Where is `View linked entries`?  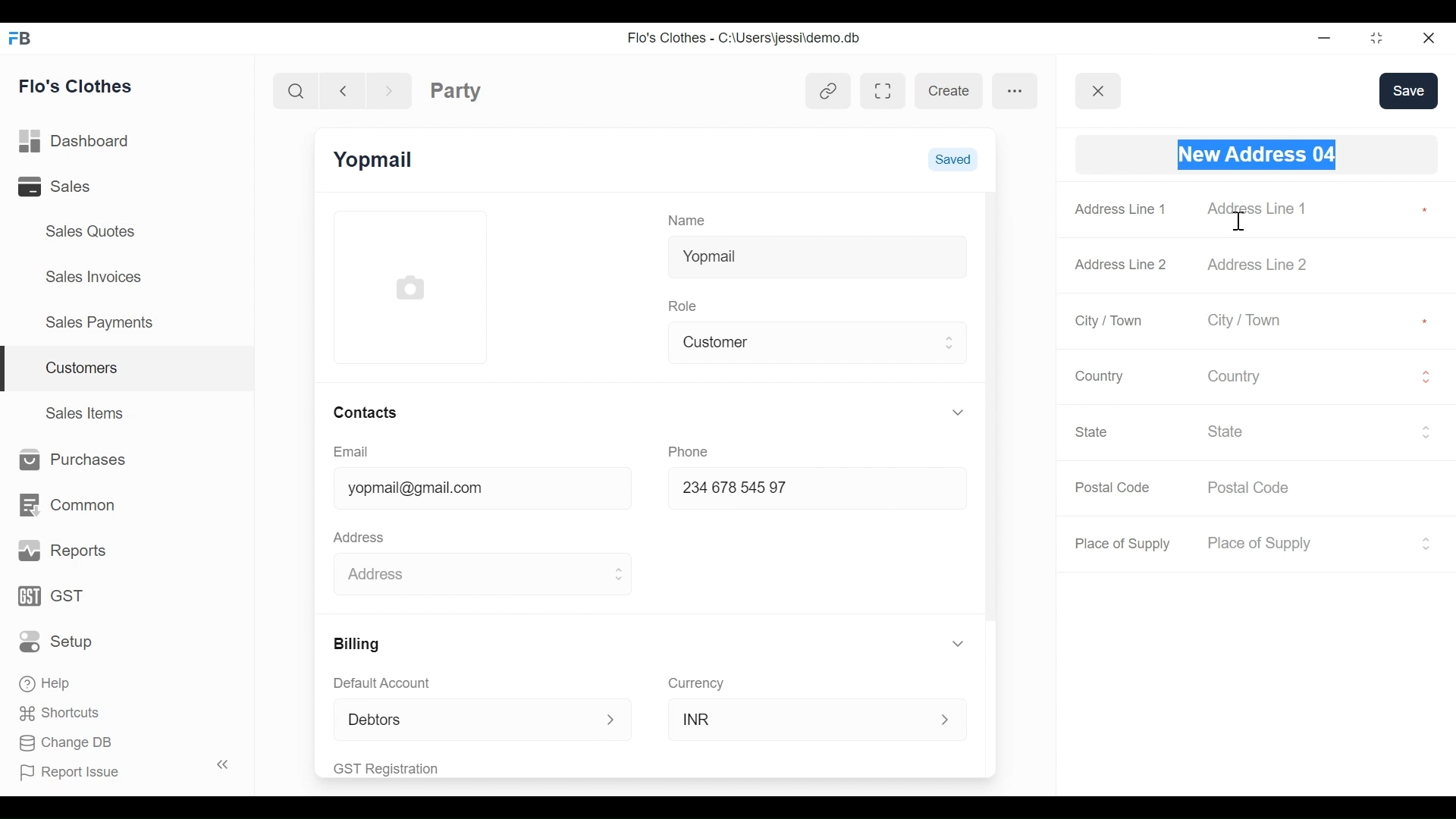
View linked entries is located at coordinates (828, 93).